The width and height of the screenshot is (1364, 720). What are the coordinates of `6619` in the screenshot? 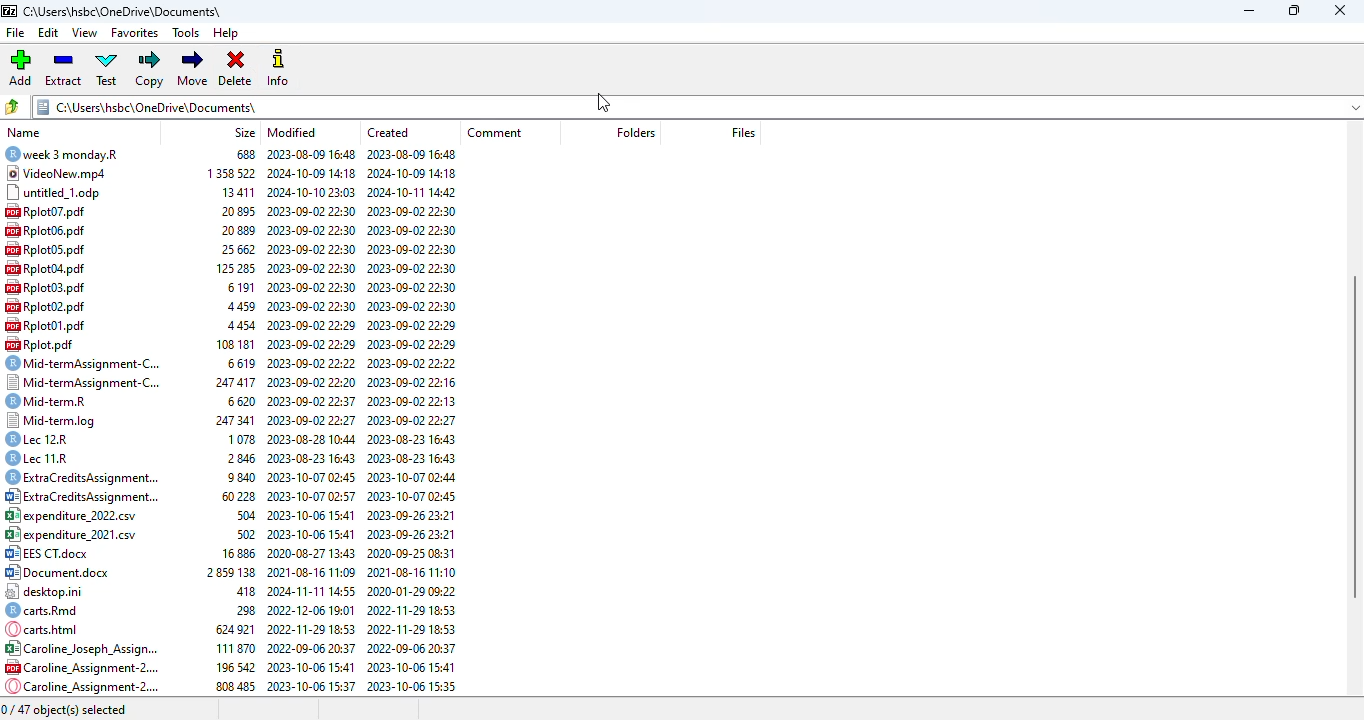 It's located at (238, 364).